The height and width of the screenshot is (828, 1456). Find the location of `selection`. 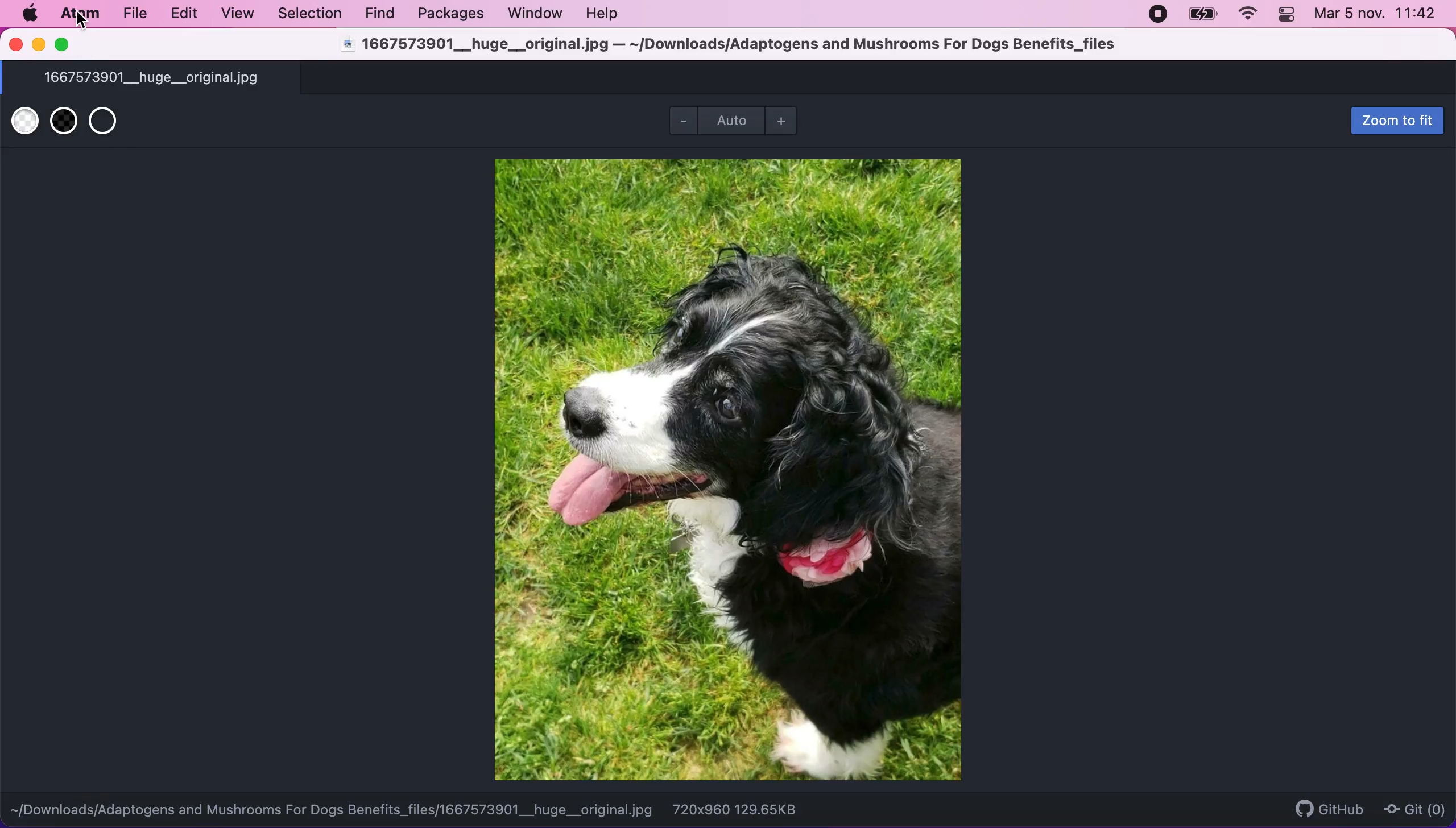

selection is located at coordinates (308, 14).